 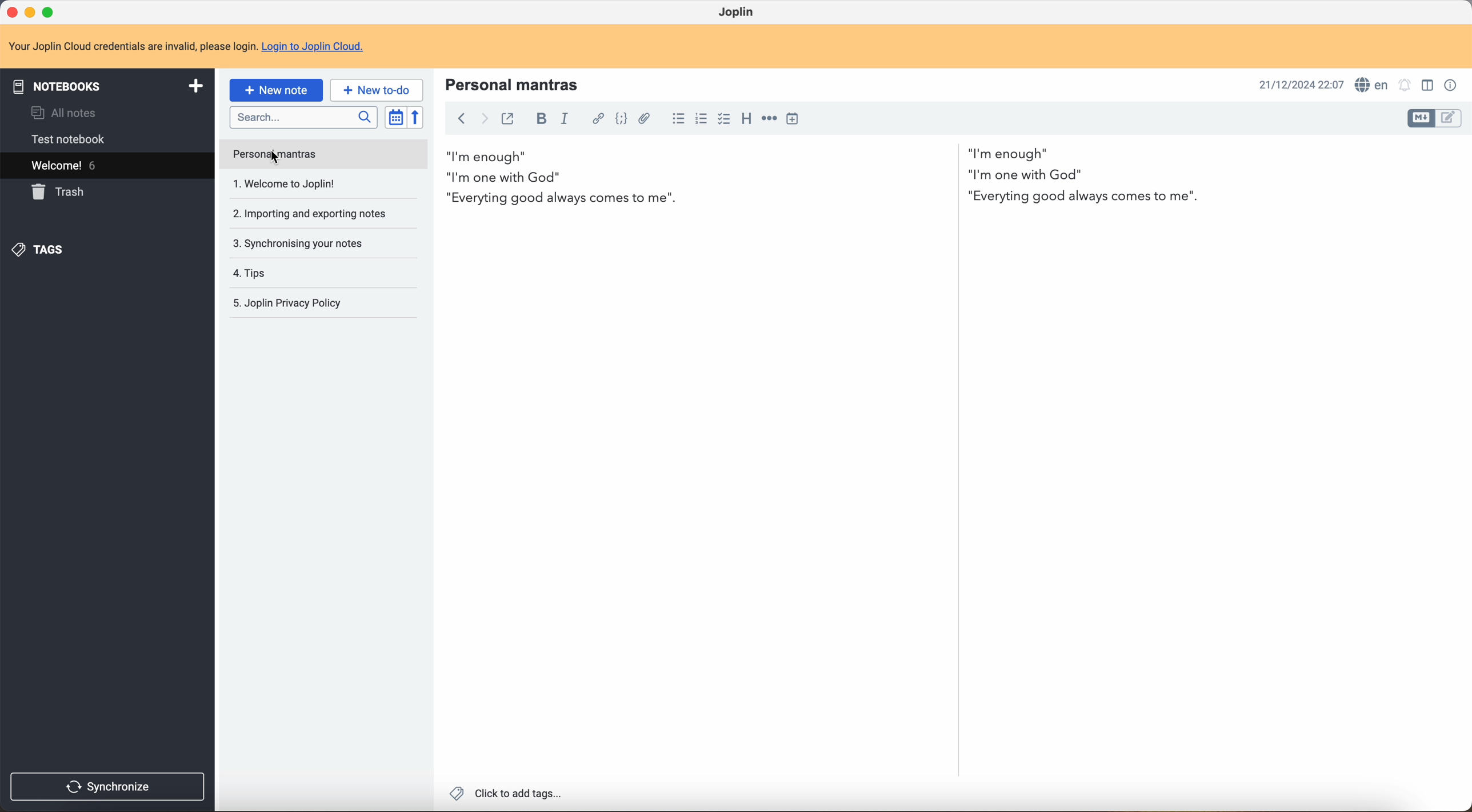 I want to click on reverse sort order, so click(x=415, y=118).